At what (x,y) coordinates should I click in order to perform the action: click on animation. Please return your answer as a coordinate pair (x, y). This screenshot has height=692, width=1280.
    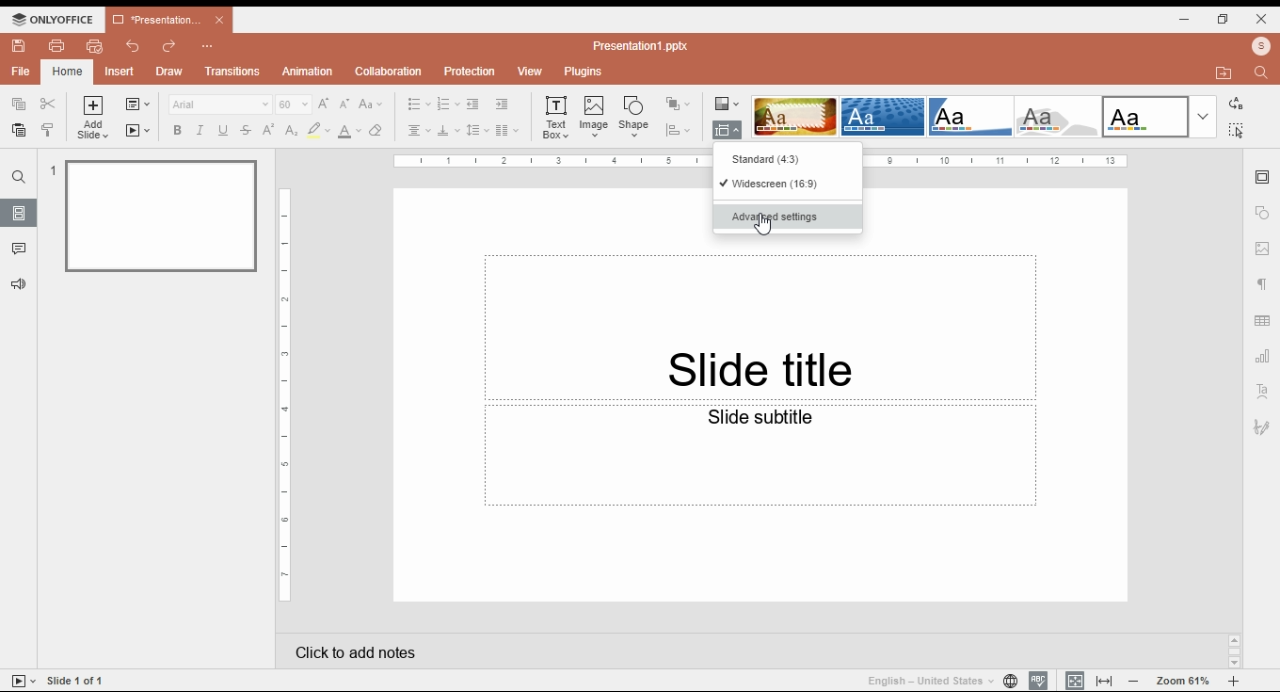
    Looking at the image, I should click on (309, 71).